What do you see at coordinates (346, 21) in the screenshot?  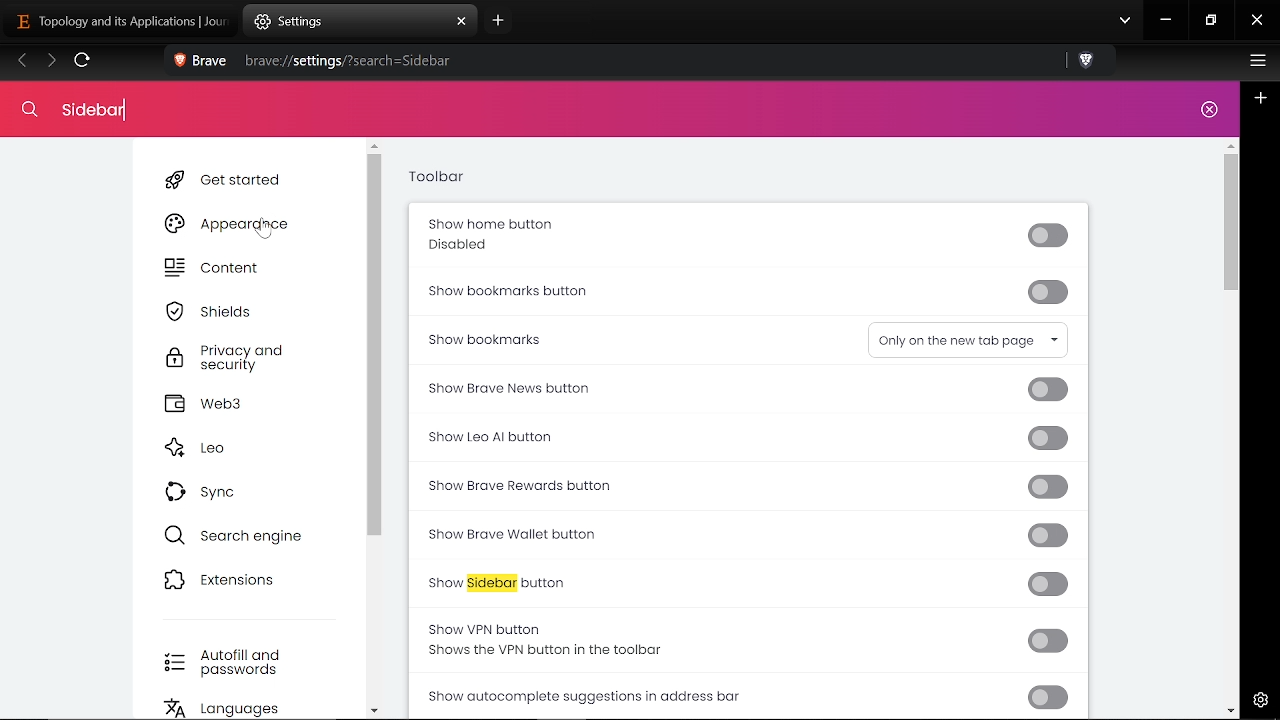 I see `Settings tab` at bounding box center [346, 21].